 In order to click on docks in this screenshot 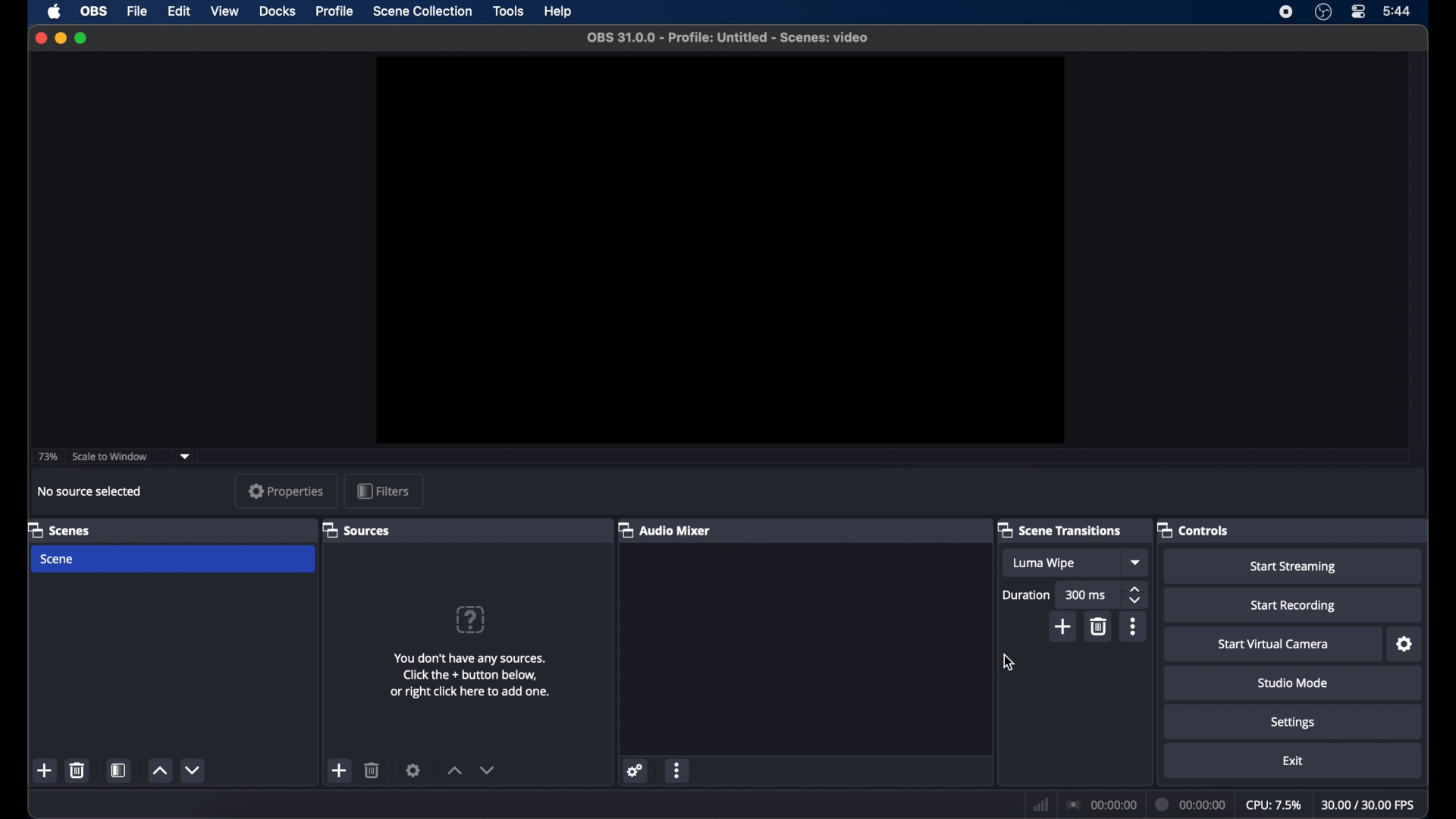, I will do `click(278, 12)`.